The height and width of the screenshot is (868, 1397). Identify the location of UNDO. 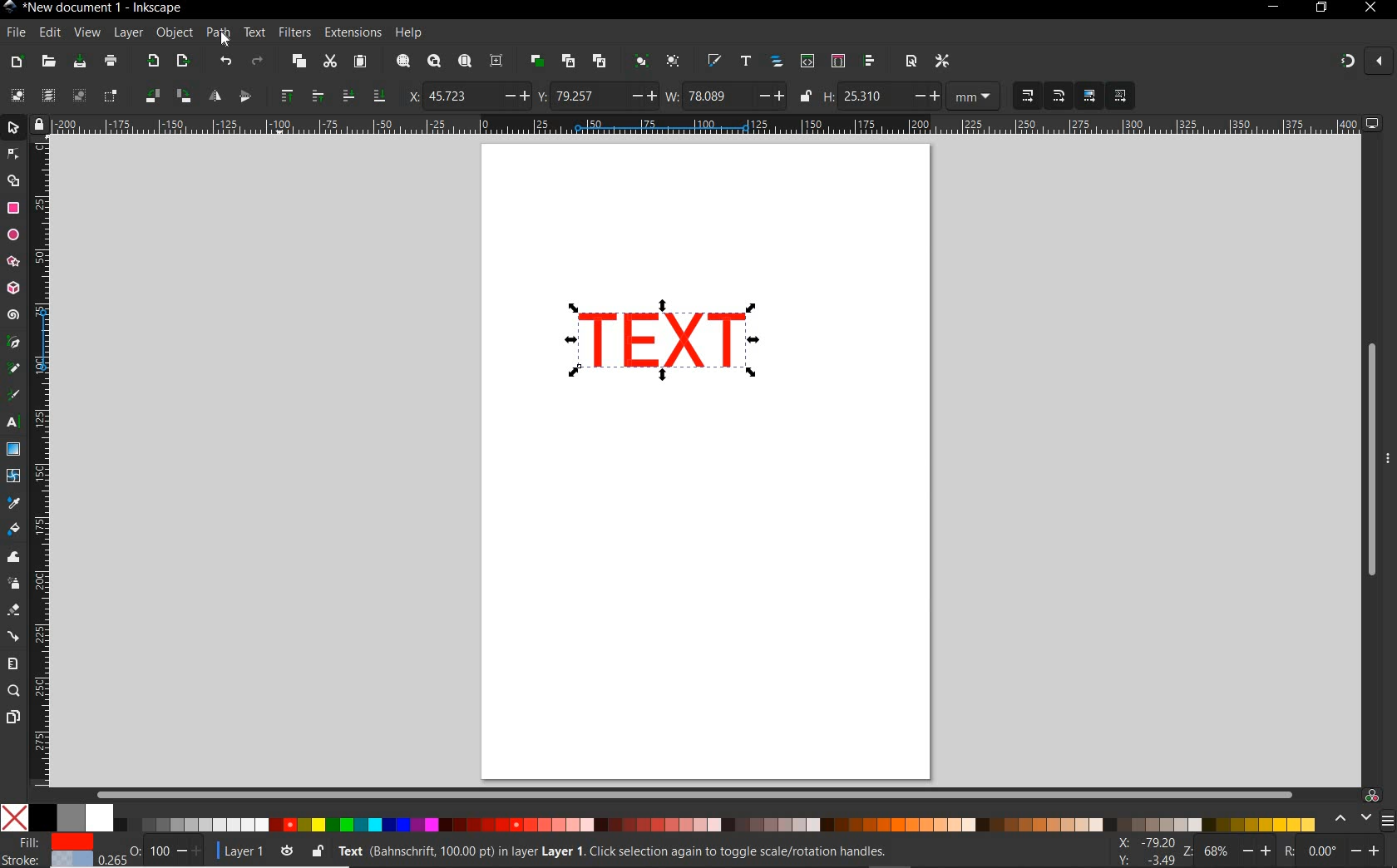
(225, 60).